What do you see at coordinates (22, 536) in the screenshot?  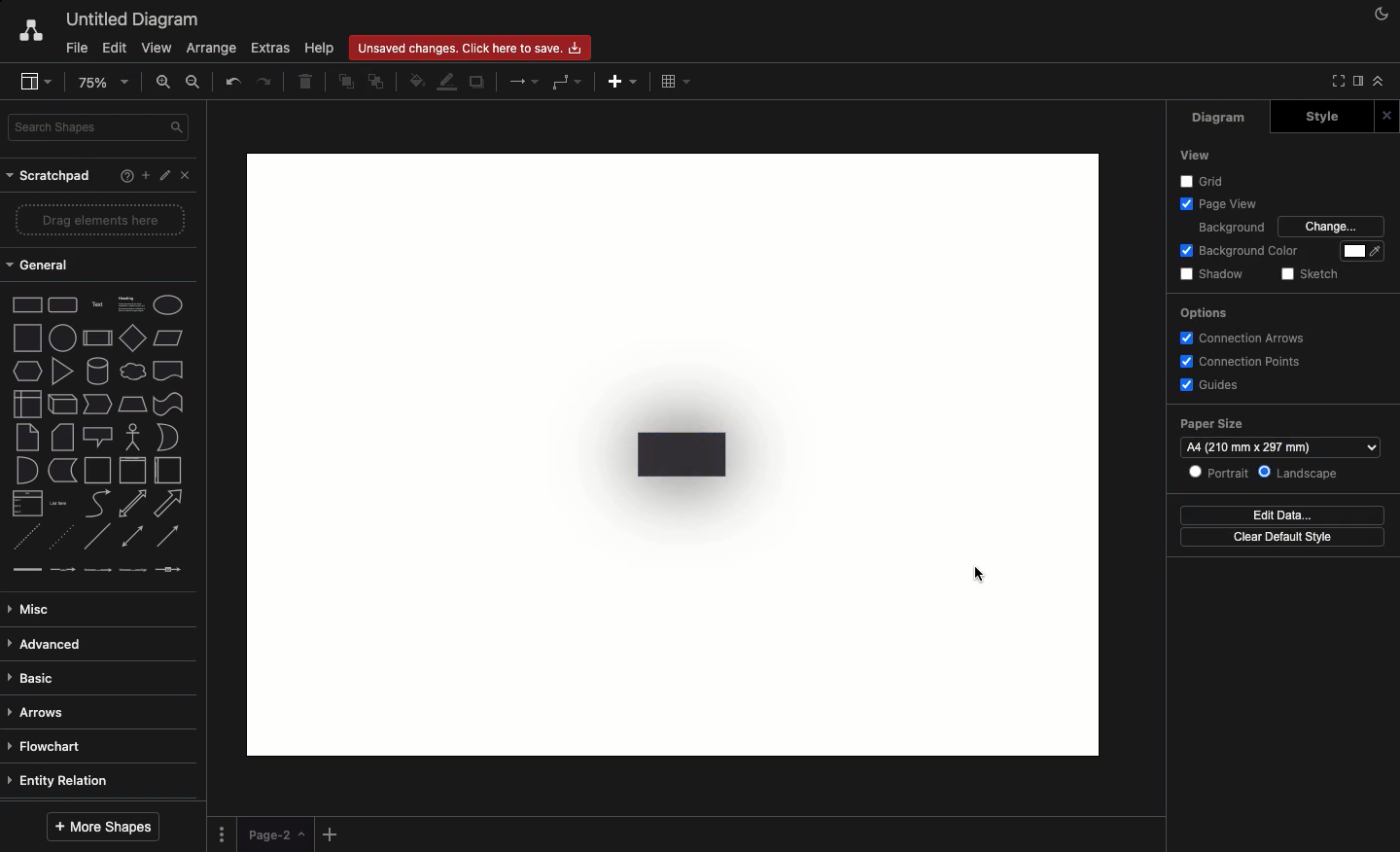 I see `dashed line` at bounding box center [22, 536].